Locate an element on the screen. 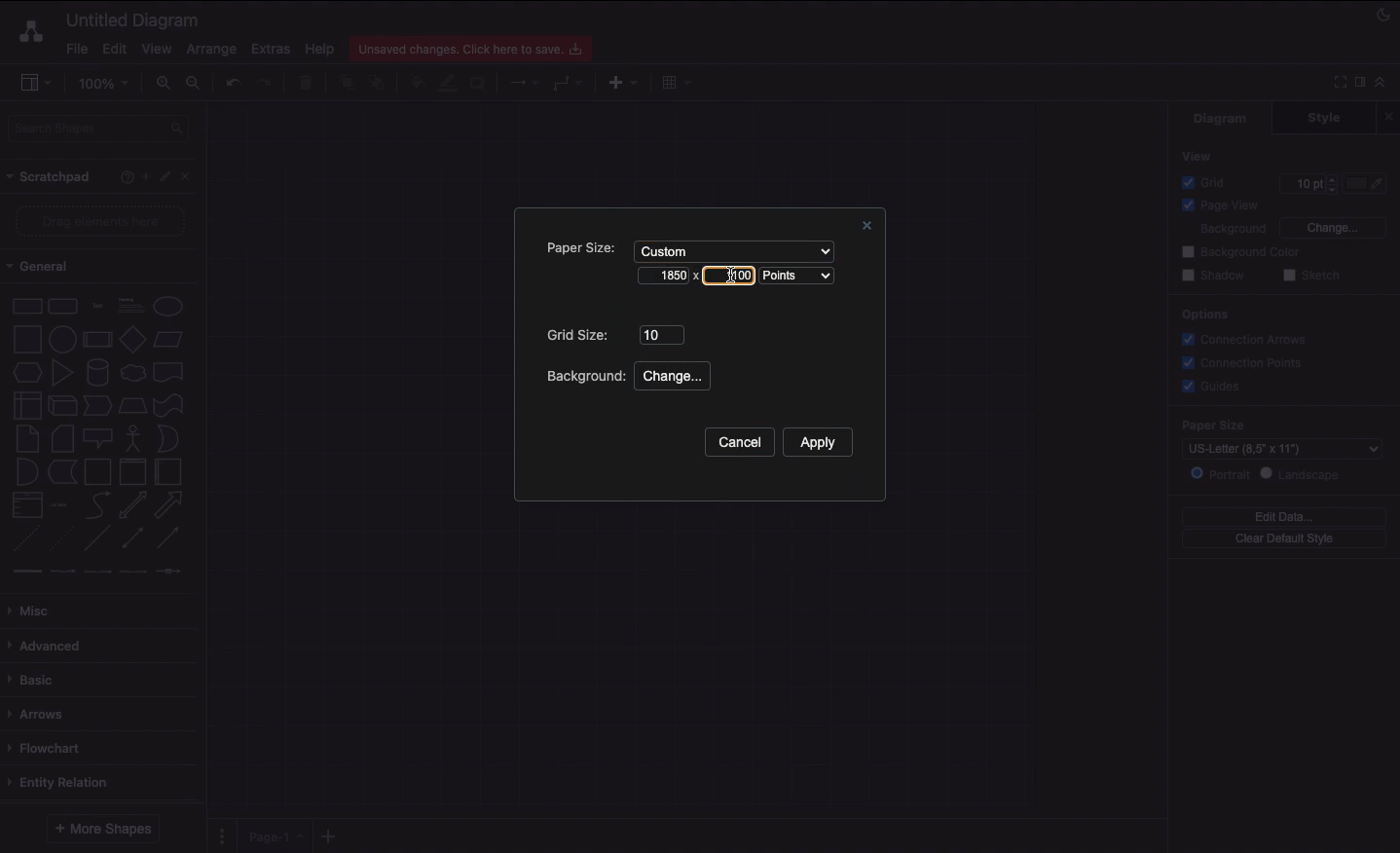 Image resolution: width=1400 pixels, height=853 pixels. Diagram is located at coordinates (1222, 118).